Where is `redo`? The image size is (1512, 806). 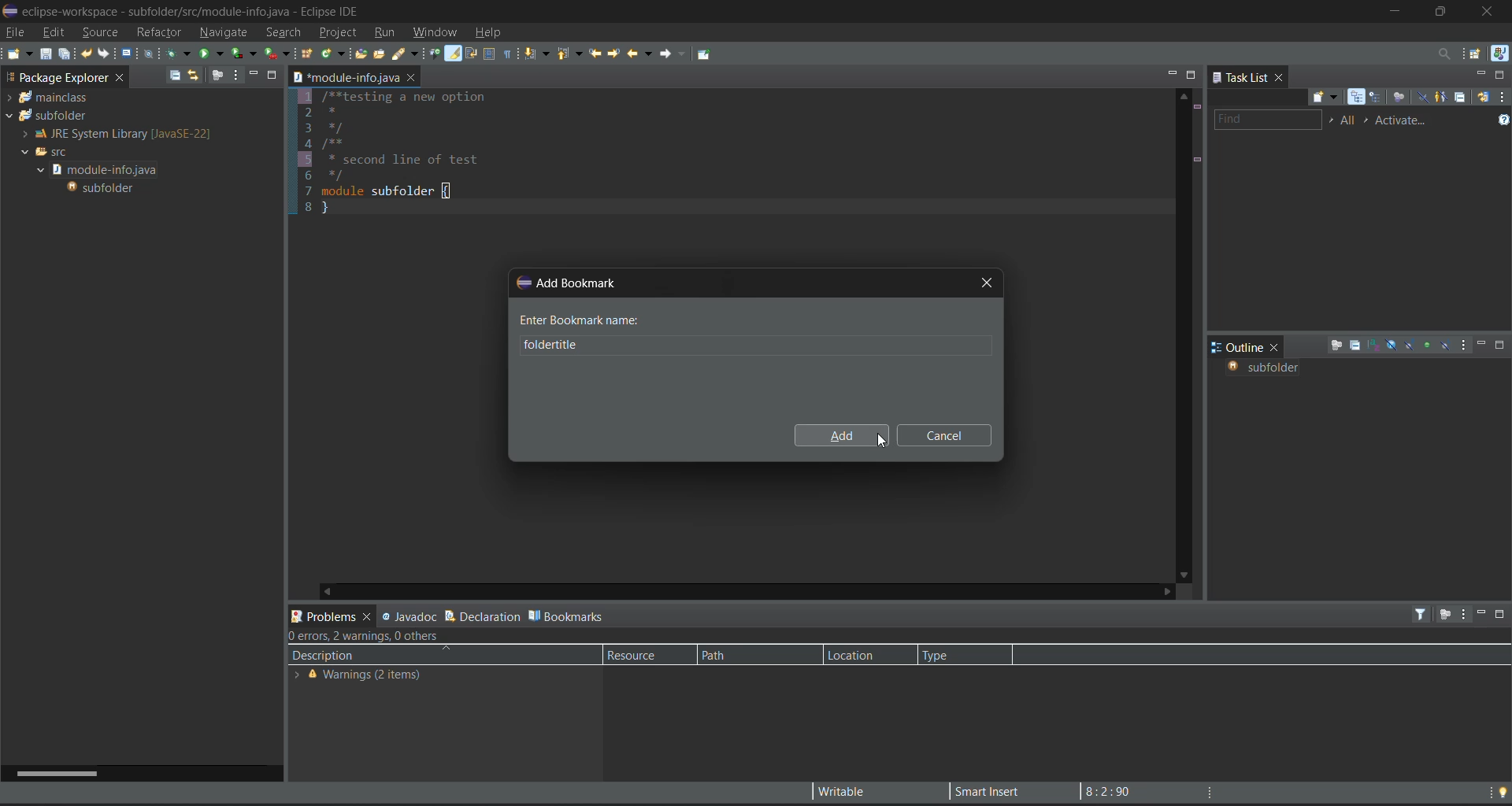
redo is located at coordinates (106, 54).